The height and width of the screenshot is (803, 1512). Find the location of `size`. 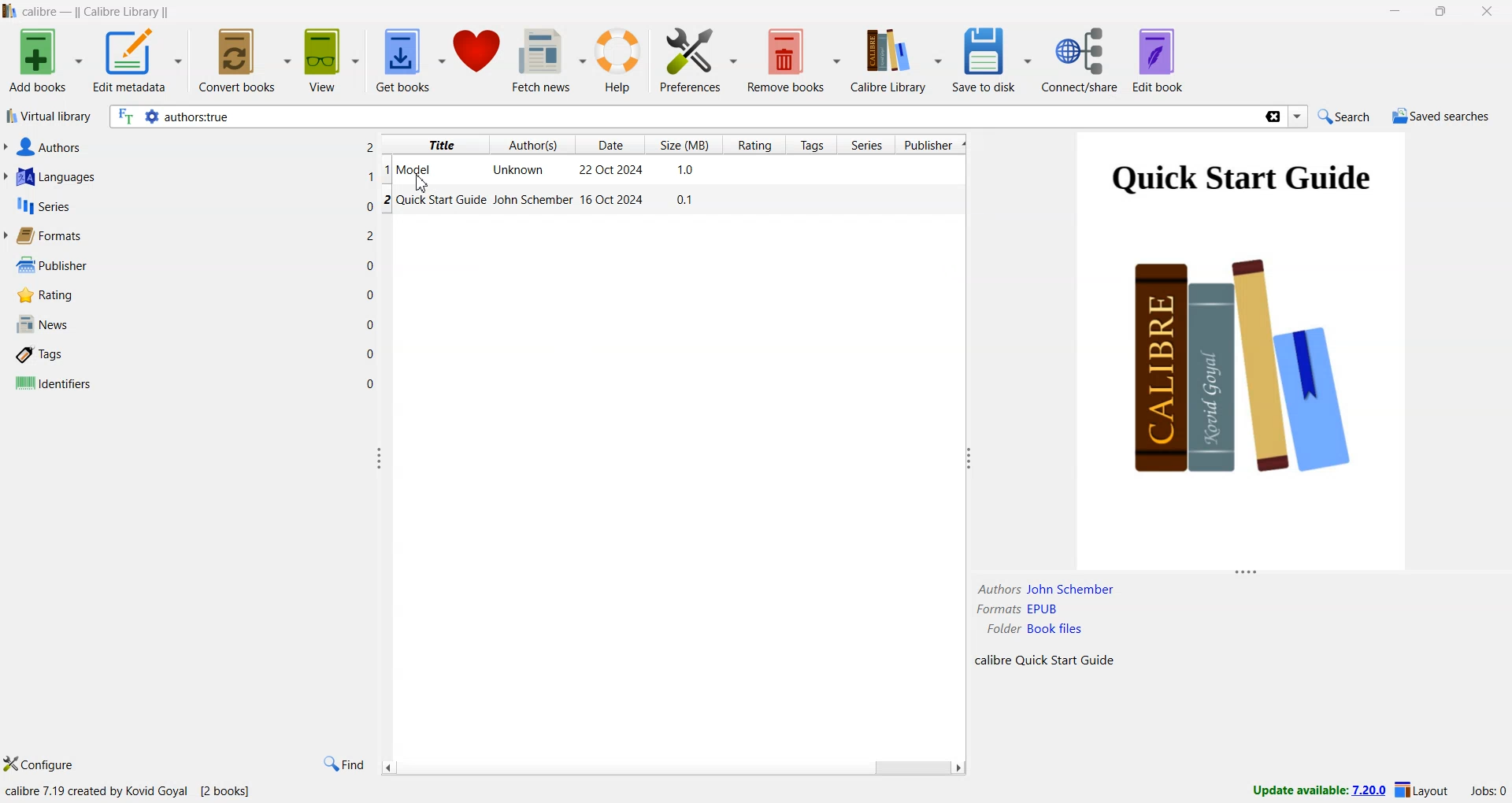

size is located at coordinates (686, 143).